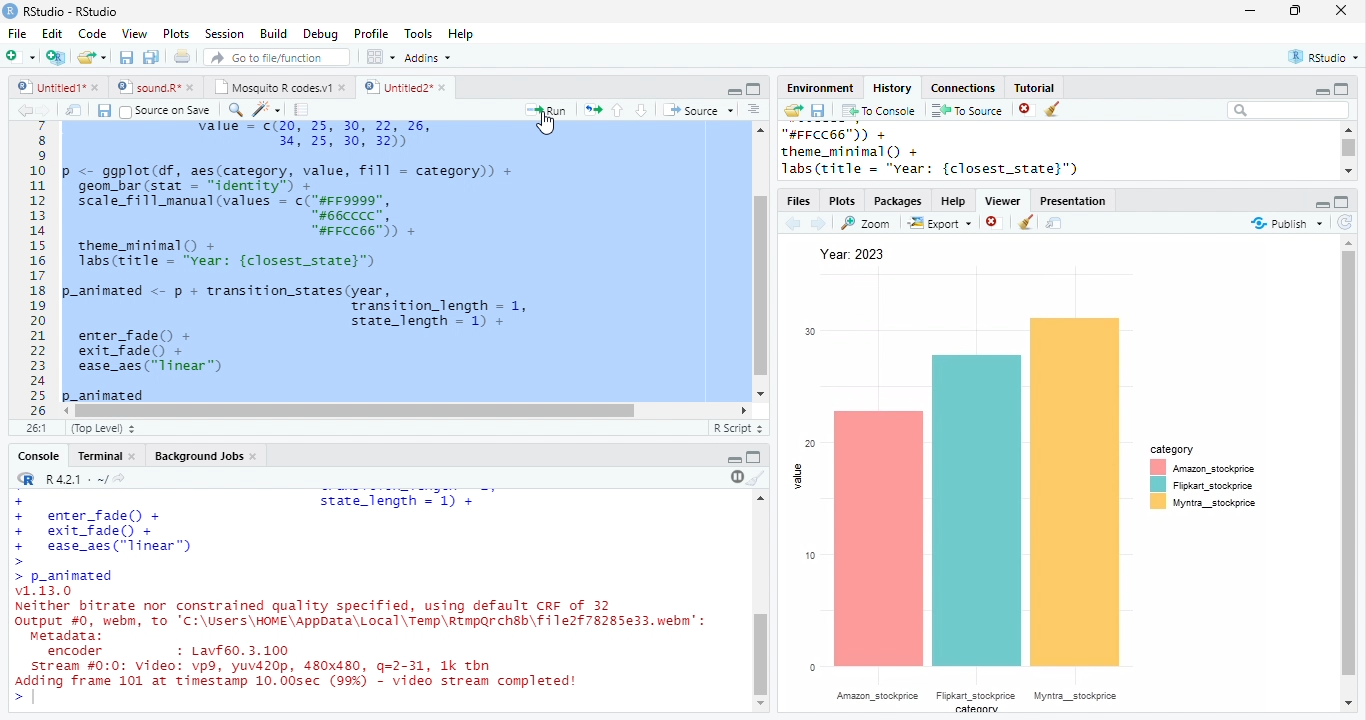  Describe the element at coordinates (1211, 502) in the screenshot. I see `Myntra_stockprice` at that location.